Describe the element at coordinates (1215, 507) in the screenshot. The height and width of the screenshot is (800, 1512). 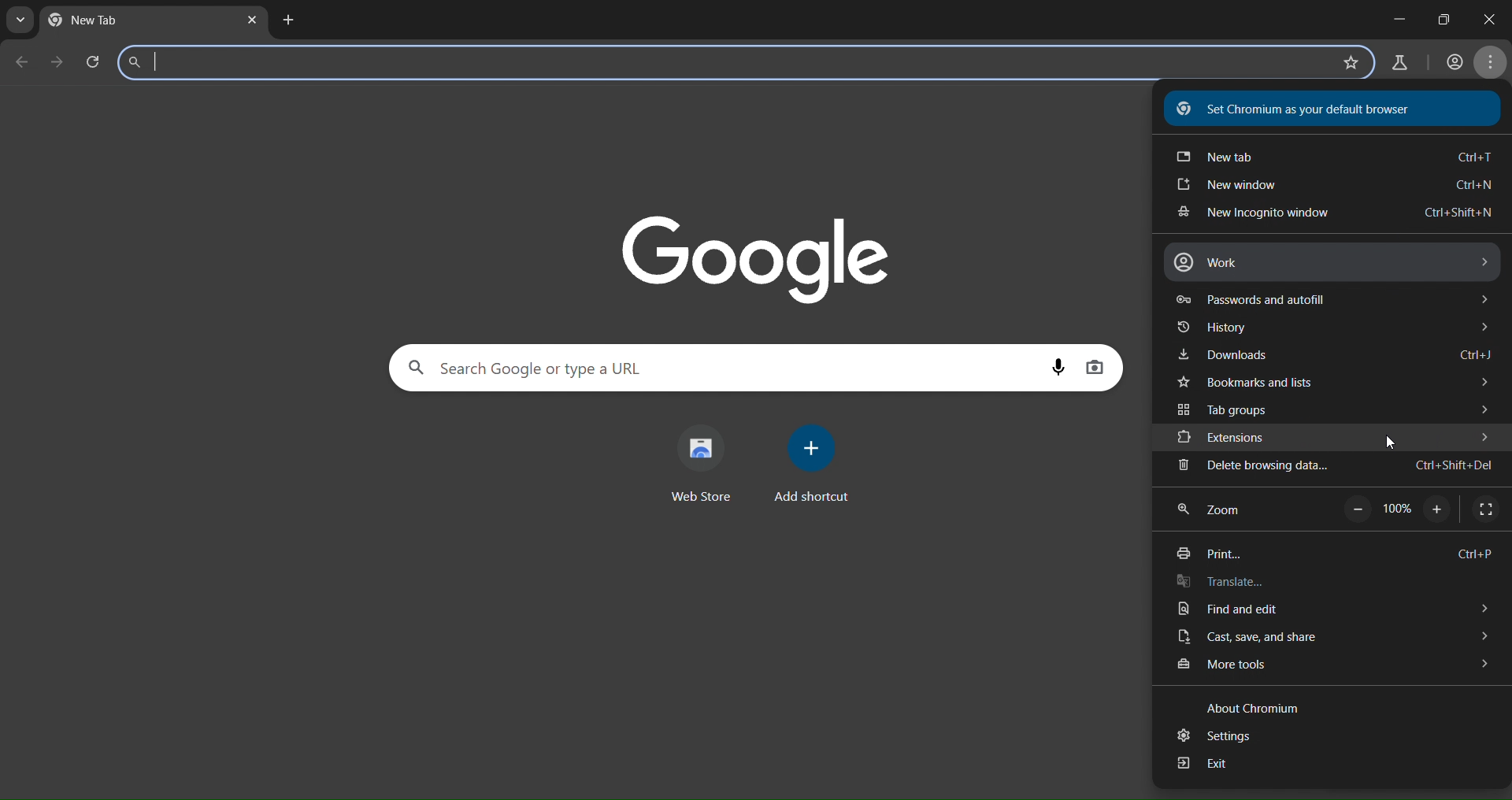
I see `zoom ` at that location.